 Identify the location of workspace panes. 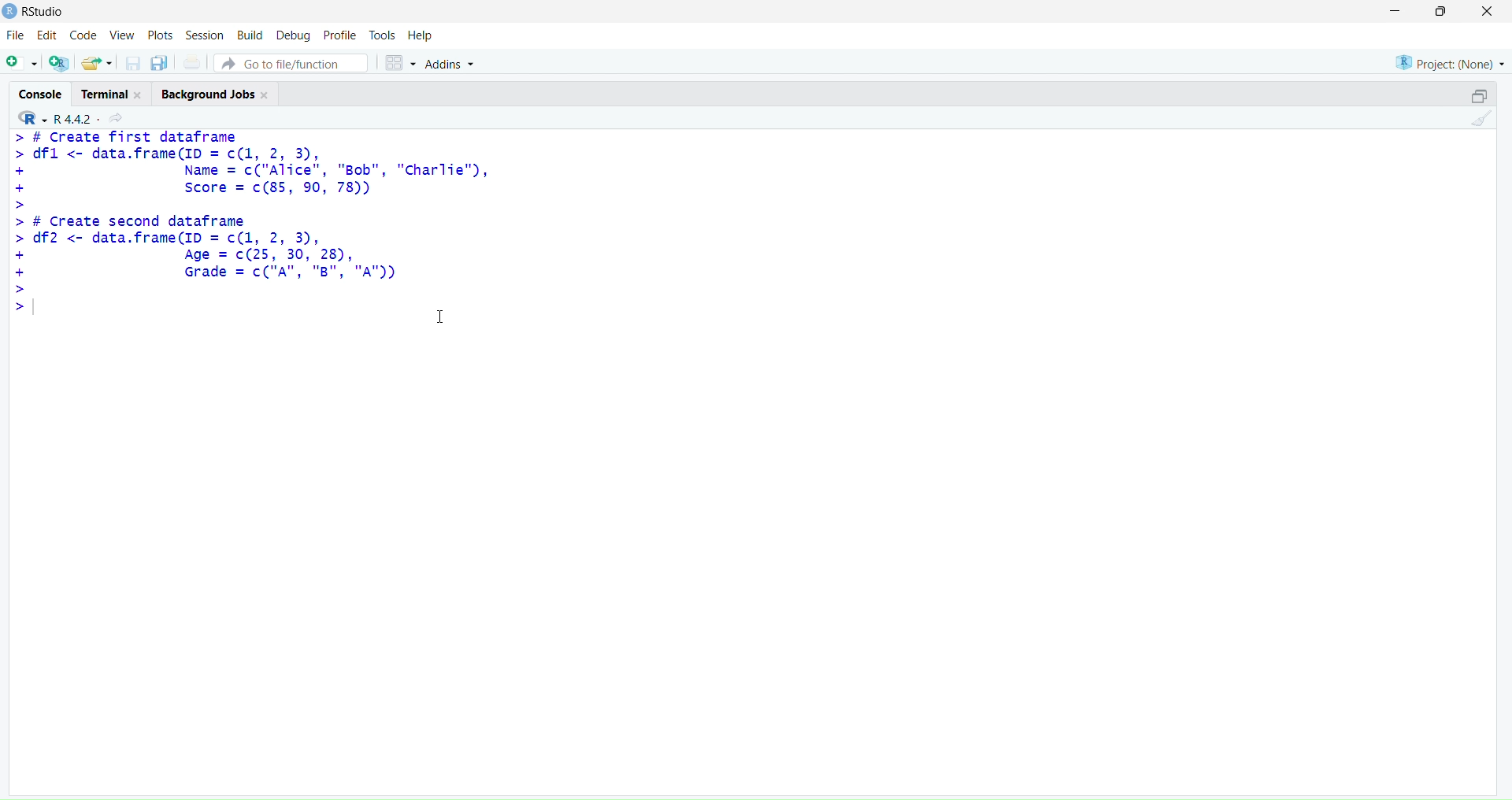
(400, 62).